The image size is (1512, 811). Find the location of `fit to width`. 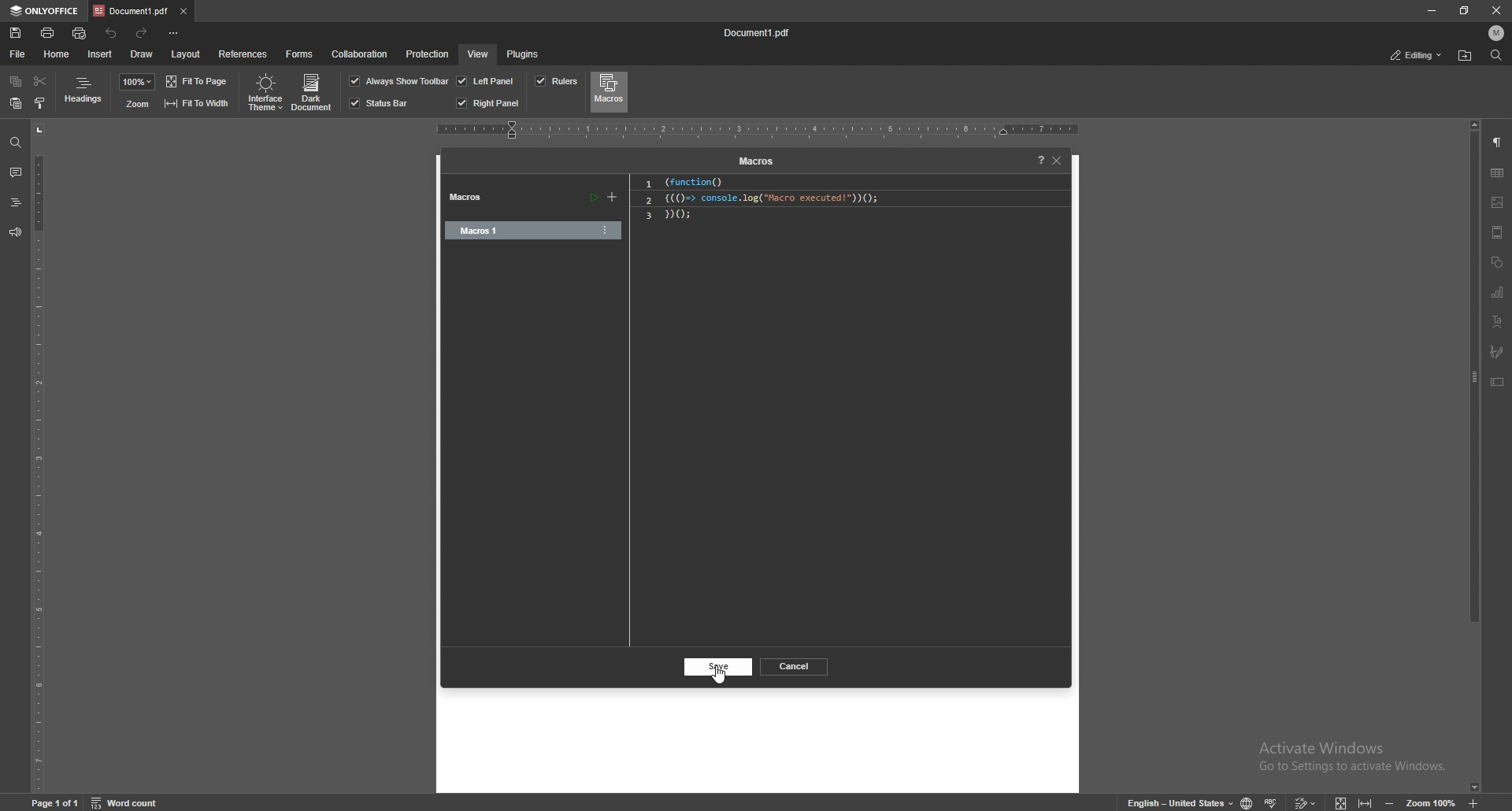

fit to width is located at coordinates (1365, 802).